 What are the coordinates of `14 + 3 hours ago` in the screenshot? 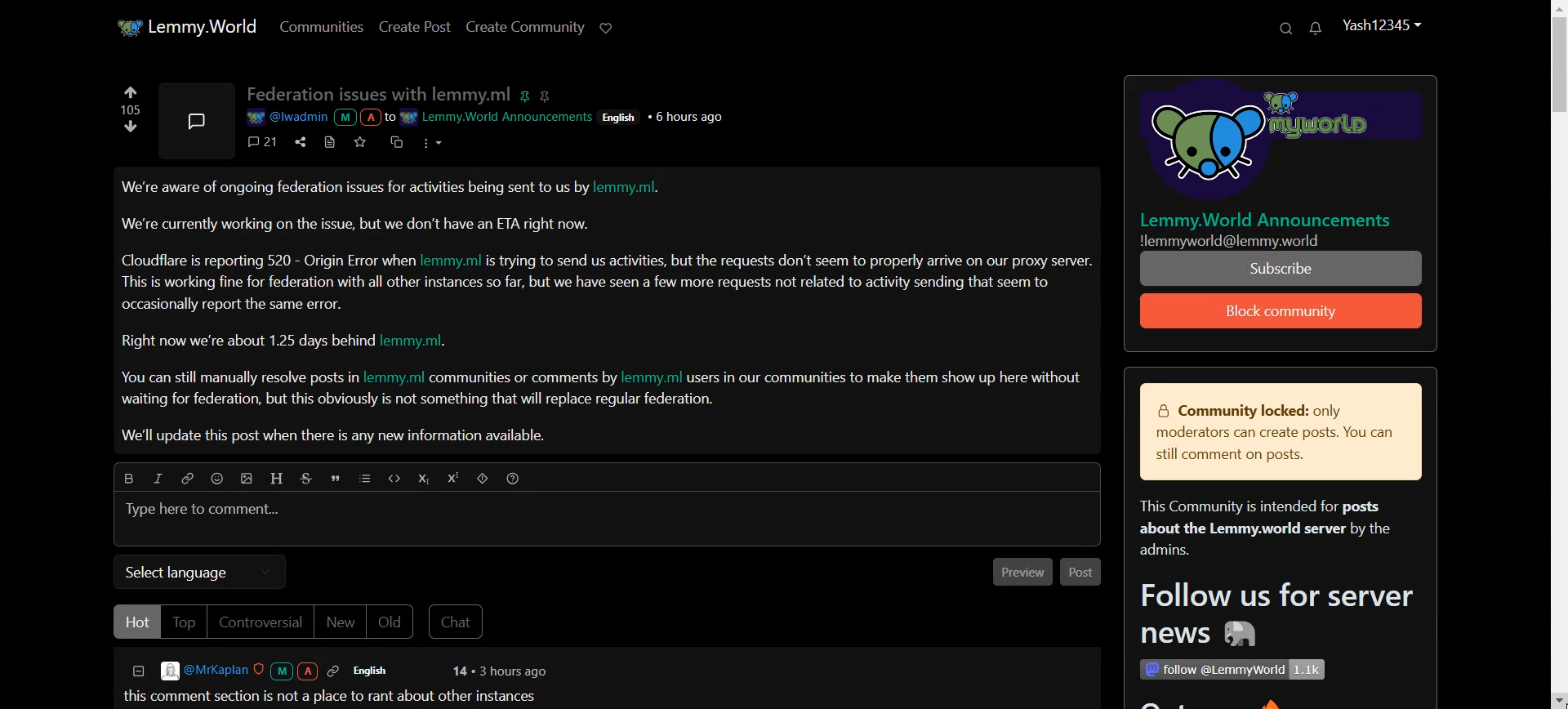 It's located at (492, 671).